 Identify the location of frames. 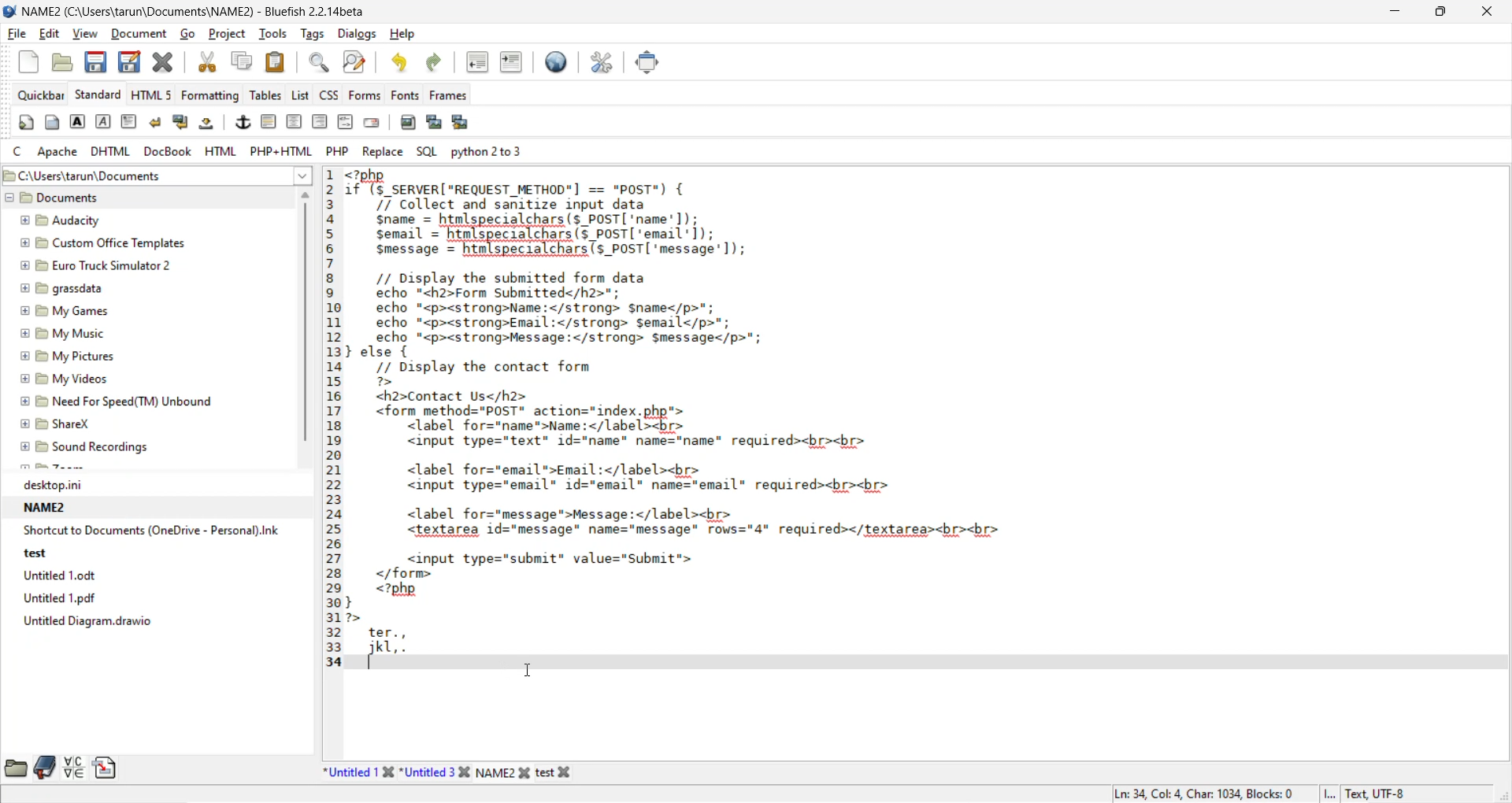
(454, 98).